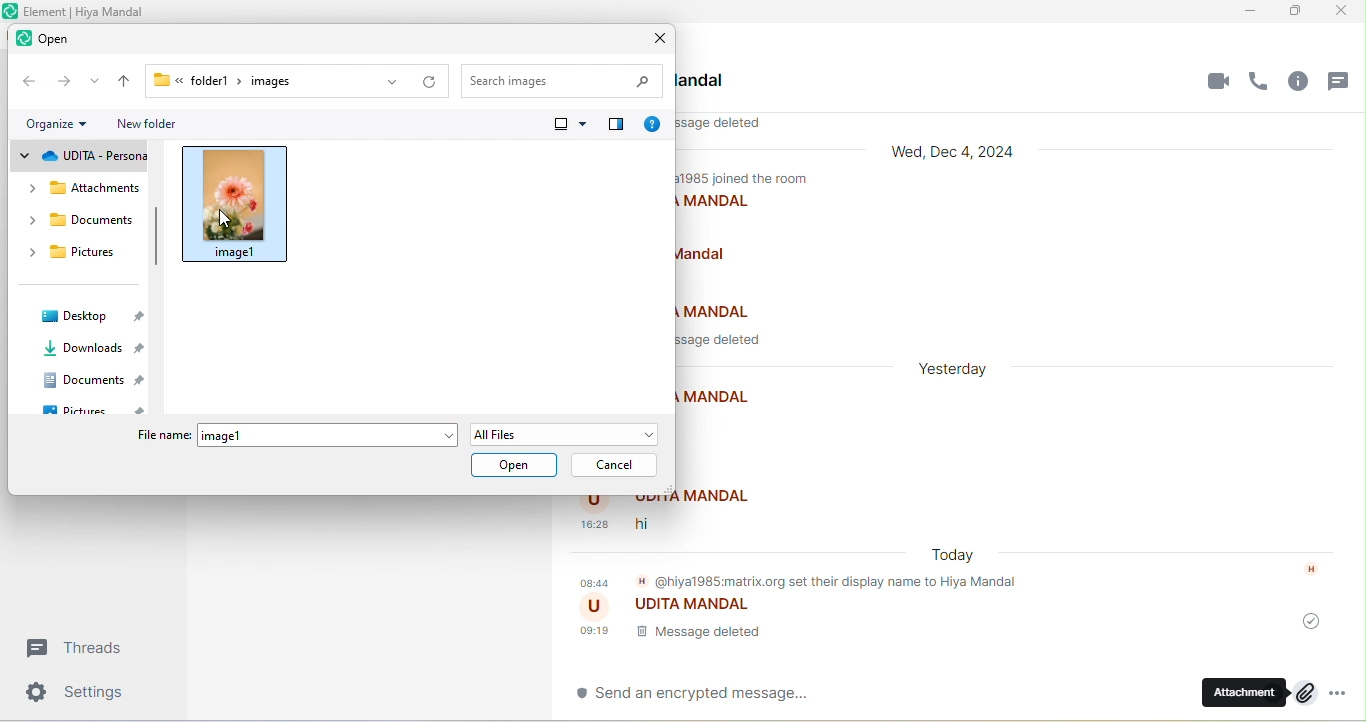 Image resolution: width=1366 pixels, height=722 pixels. Describe the element at coordinates (514, 466) in the screenshot. I see `open` at that location.